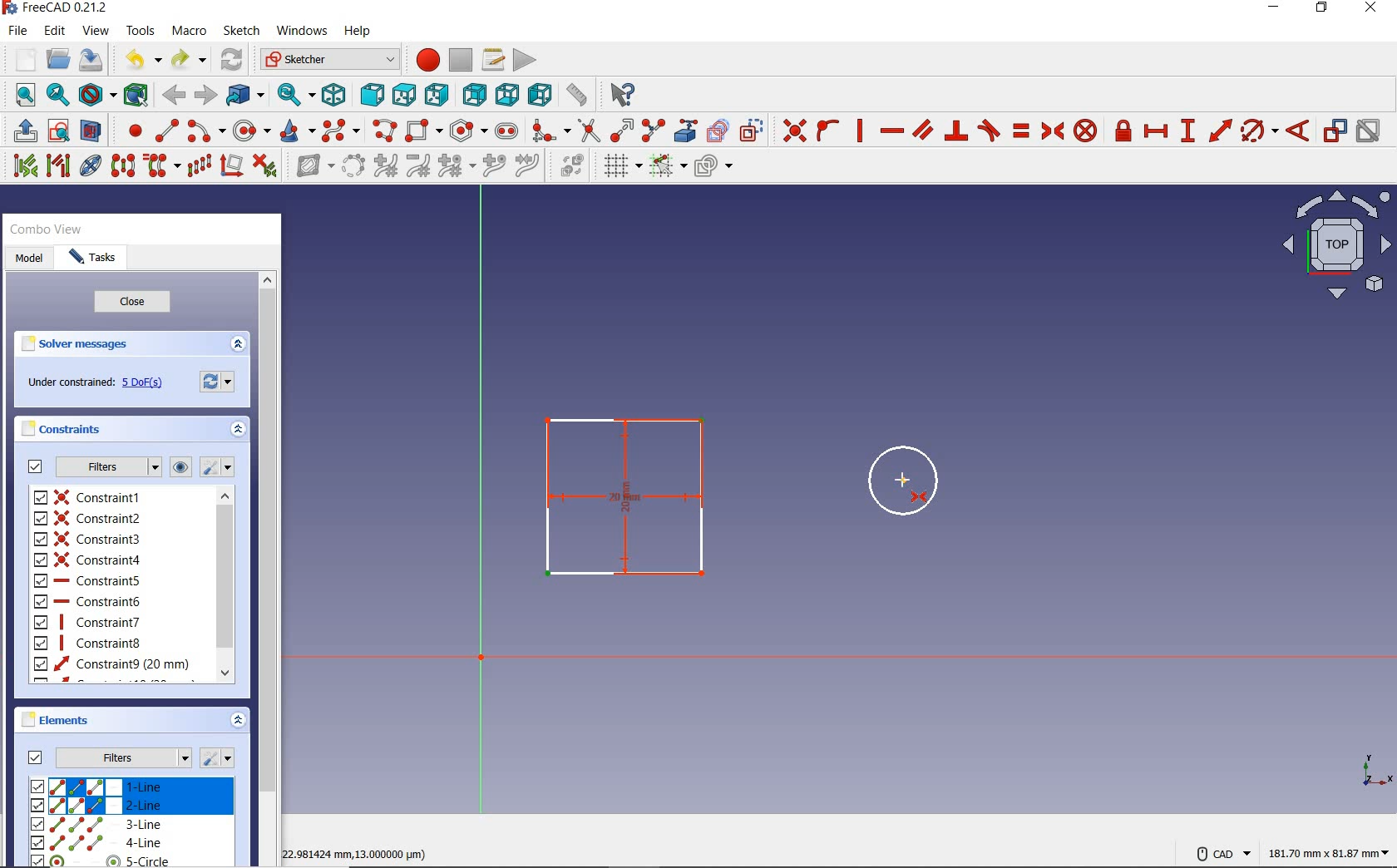 The width and height of the screenshot is (1397, 868). What do you see at coordinates (669, 165) in the screenshot?
I see `toggle snap` at bounding box center [669, 165].